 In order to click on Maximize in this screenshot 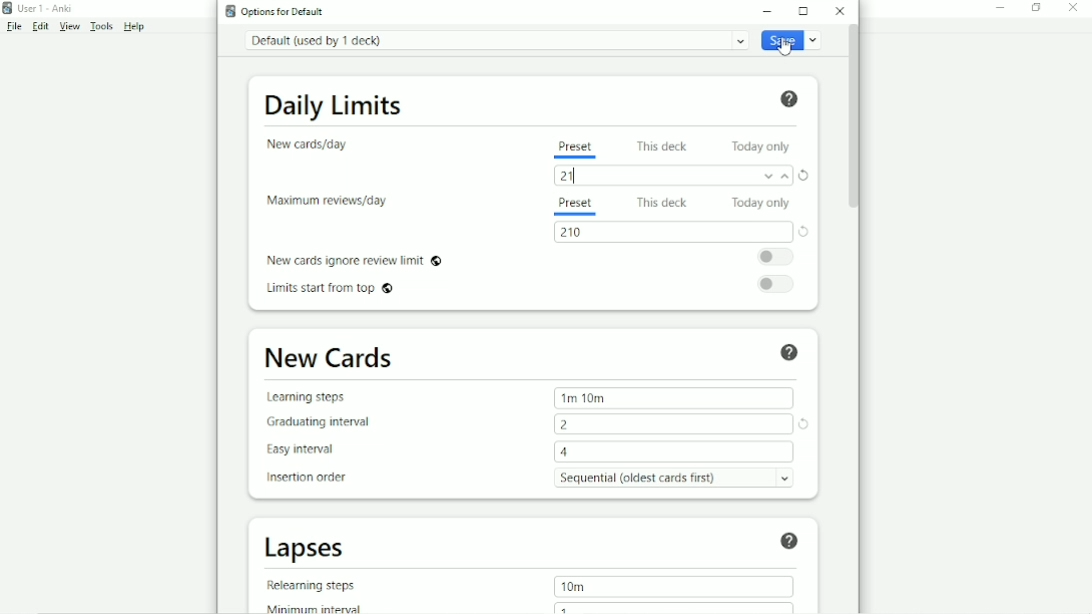, I will do `click(803, 12)`.